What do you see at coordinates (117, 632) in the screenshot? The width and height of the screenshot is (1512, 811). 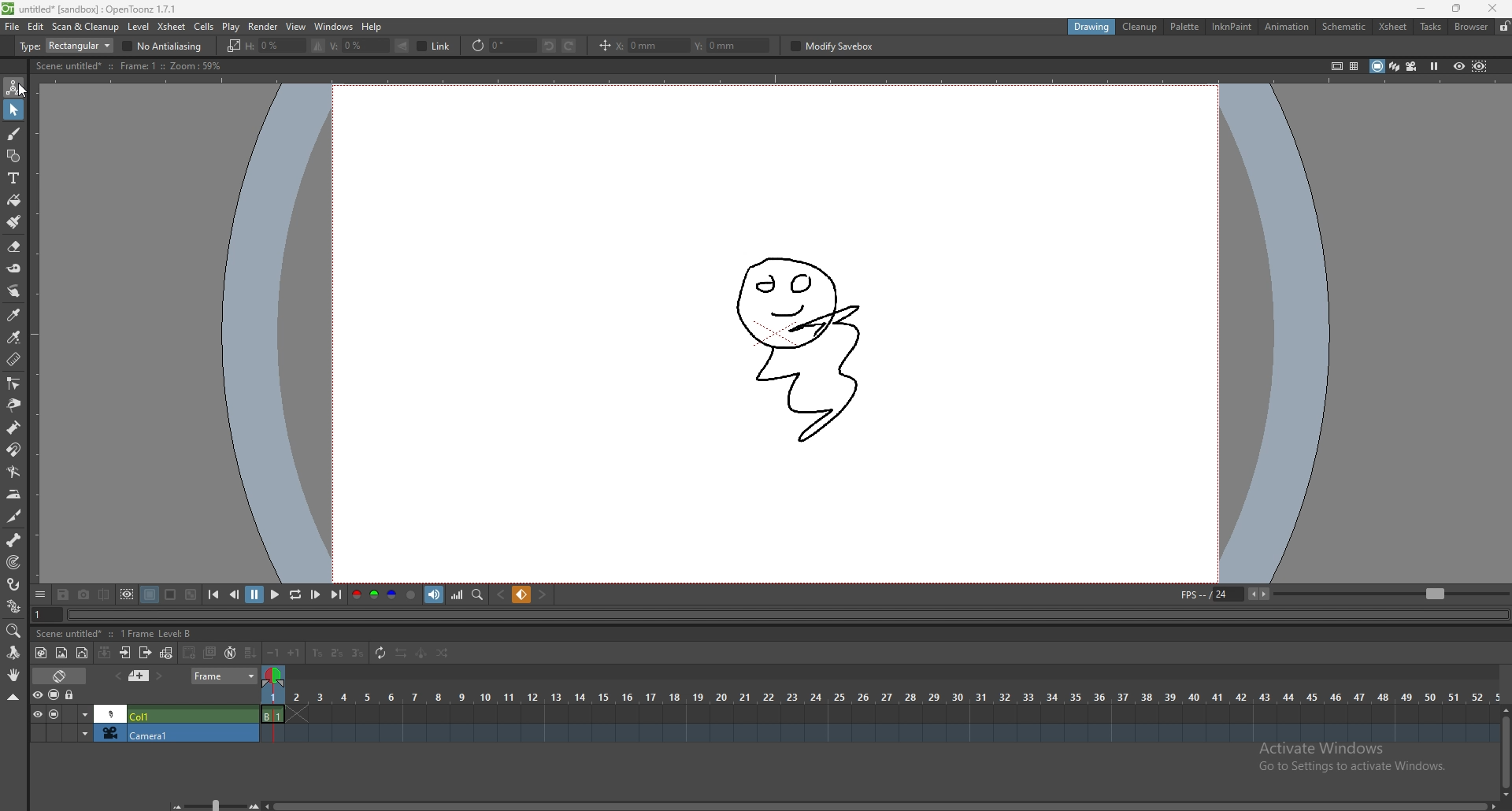 I see `description` at bounding box center [117, 632].